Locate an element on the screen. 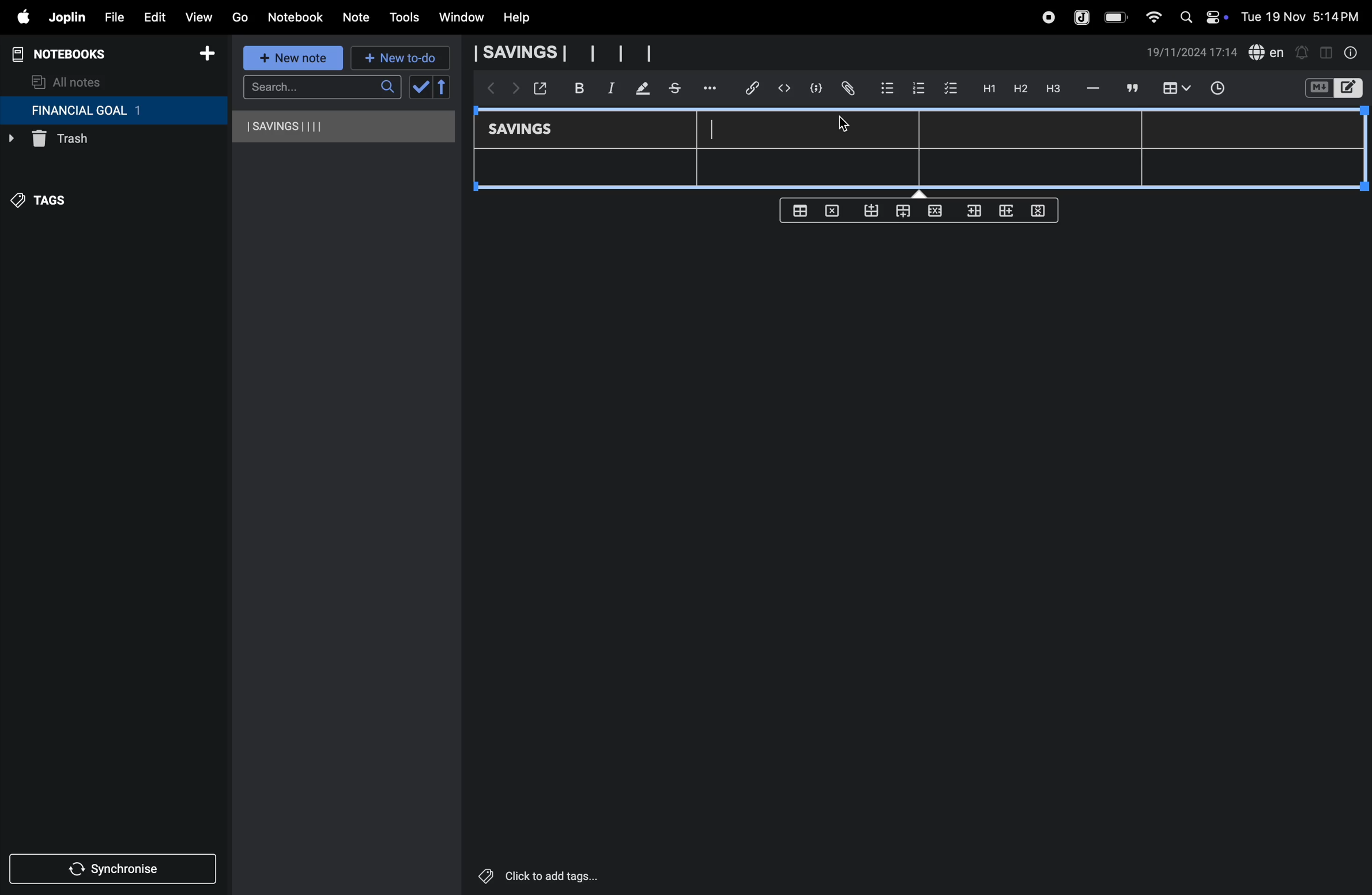 This screenshot has width=1372, height=895. insert table is located at coordinates (1174, 89).